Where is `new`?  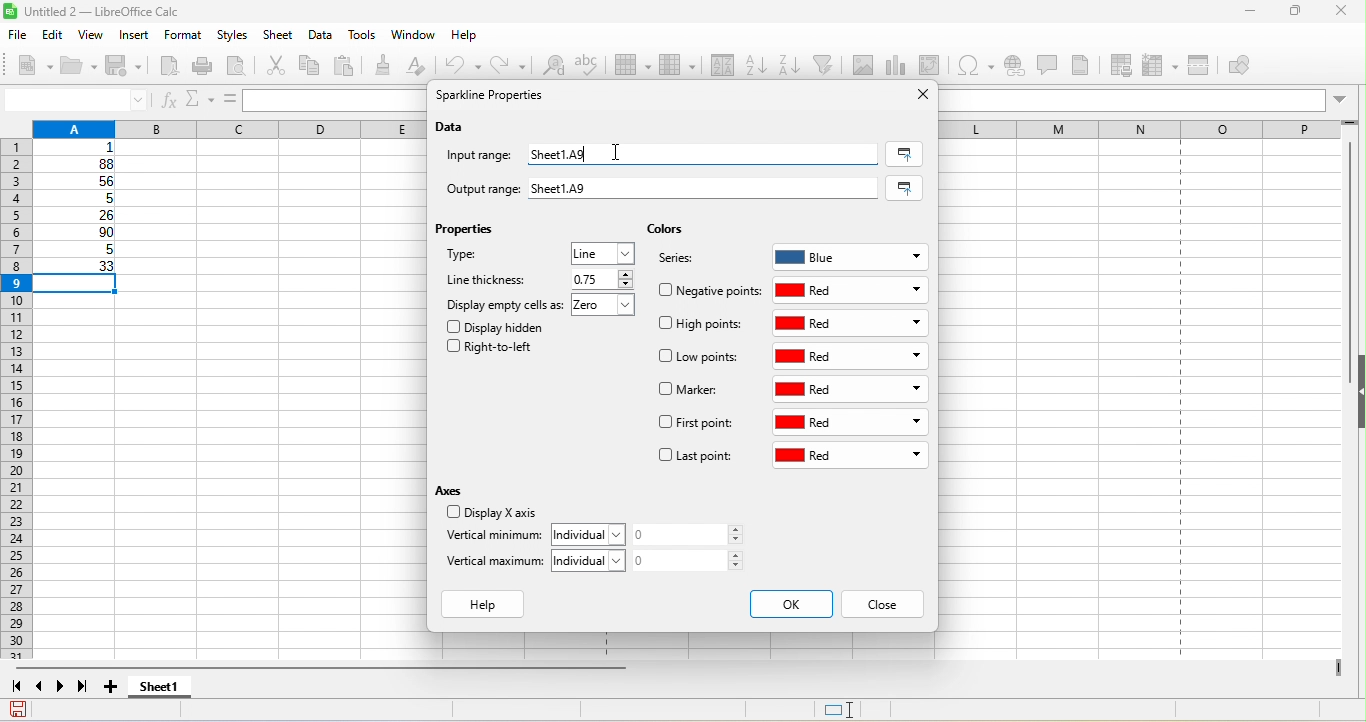 new is located at coordinates (28, 64).